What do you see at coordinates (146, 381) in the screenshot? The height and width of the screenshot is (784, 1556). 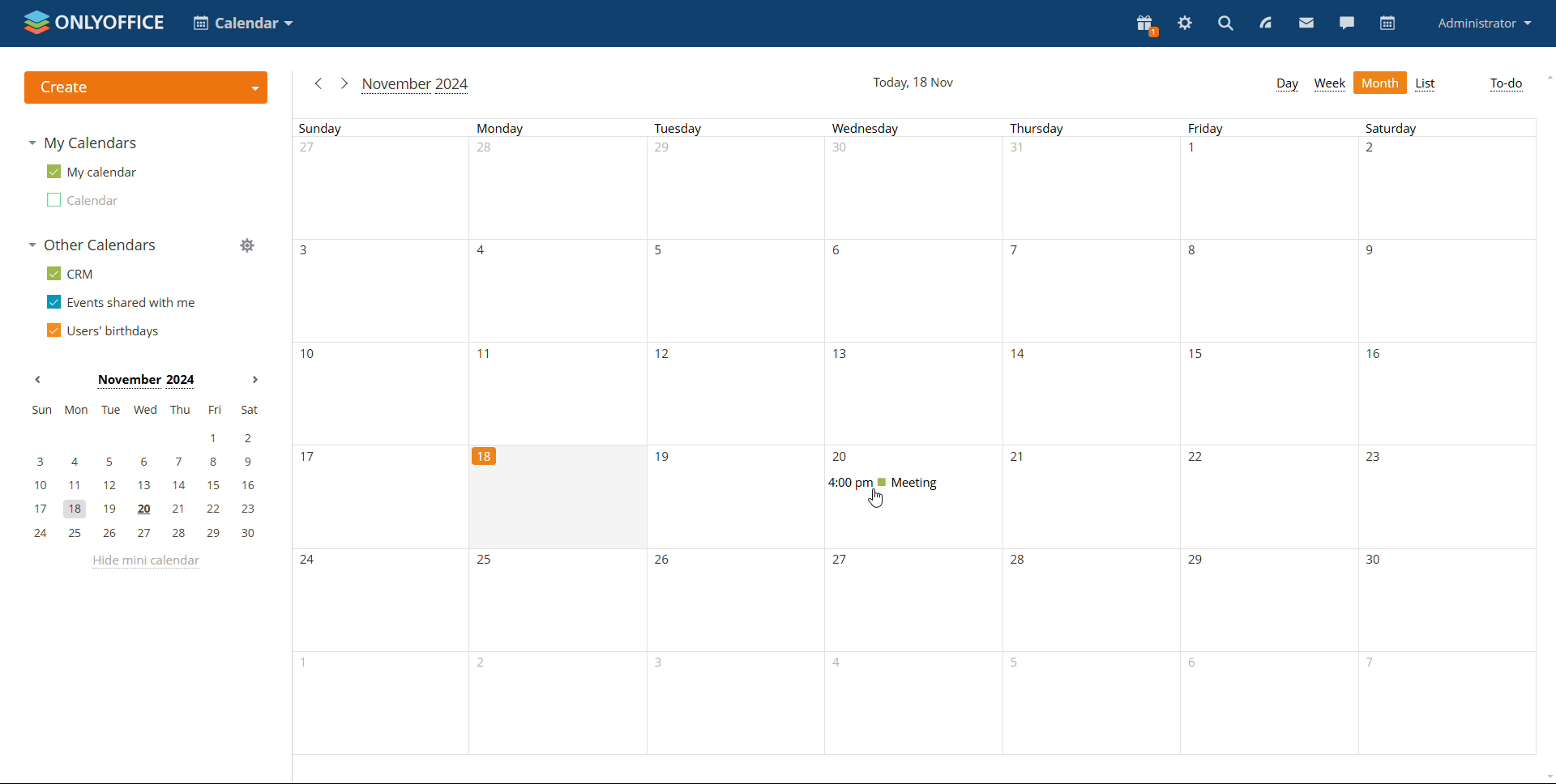 I see `month on display` at bounding box center [146, 381].